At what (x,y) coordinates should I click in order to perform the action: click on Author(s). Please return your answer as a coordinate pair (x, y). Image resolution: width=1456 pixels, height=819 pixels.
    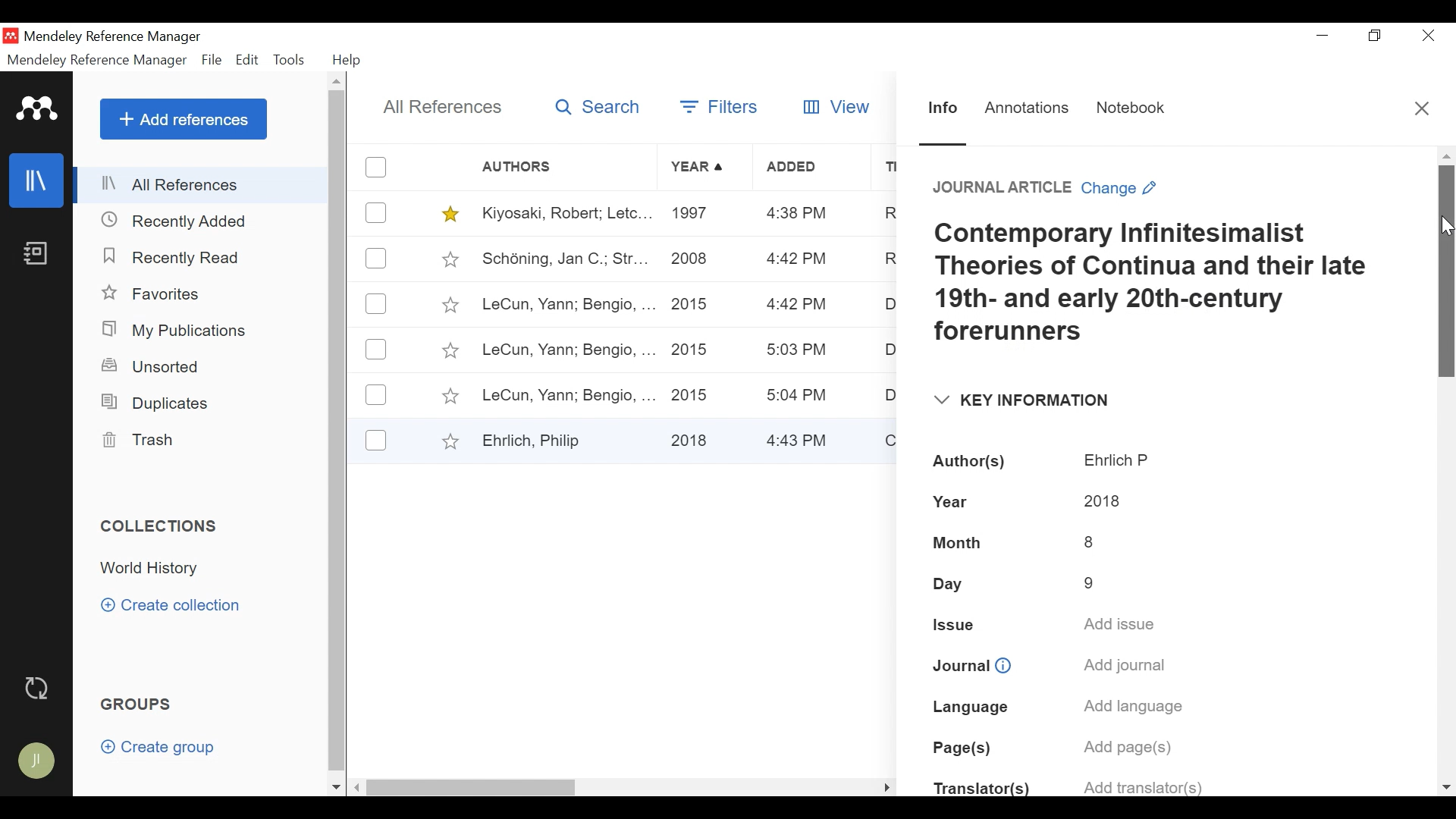
    Looking at the image, I should click on (972, 463).